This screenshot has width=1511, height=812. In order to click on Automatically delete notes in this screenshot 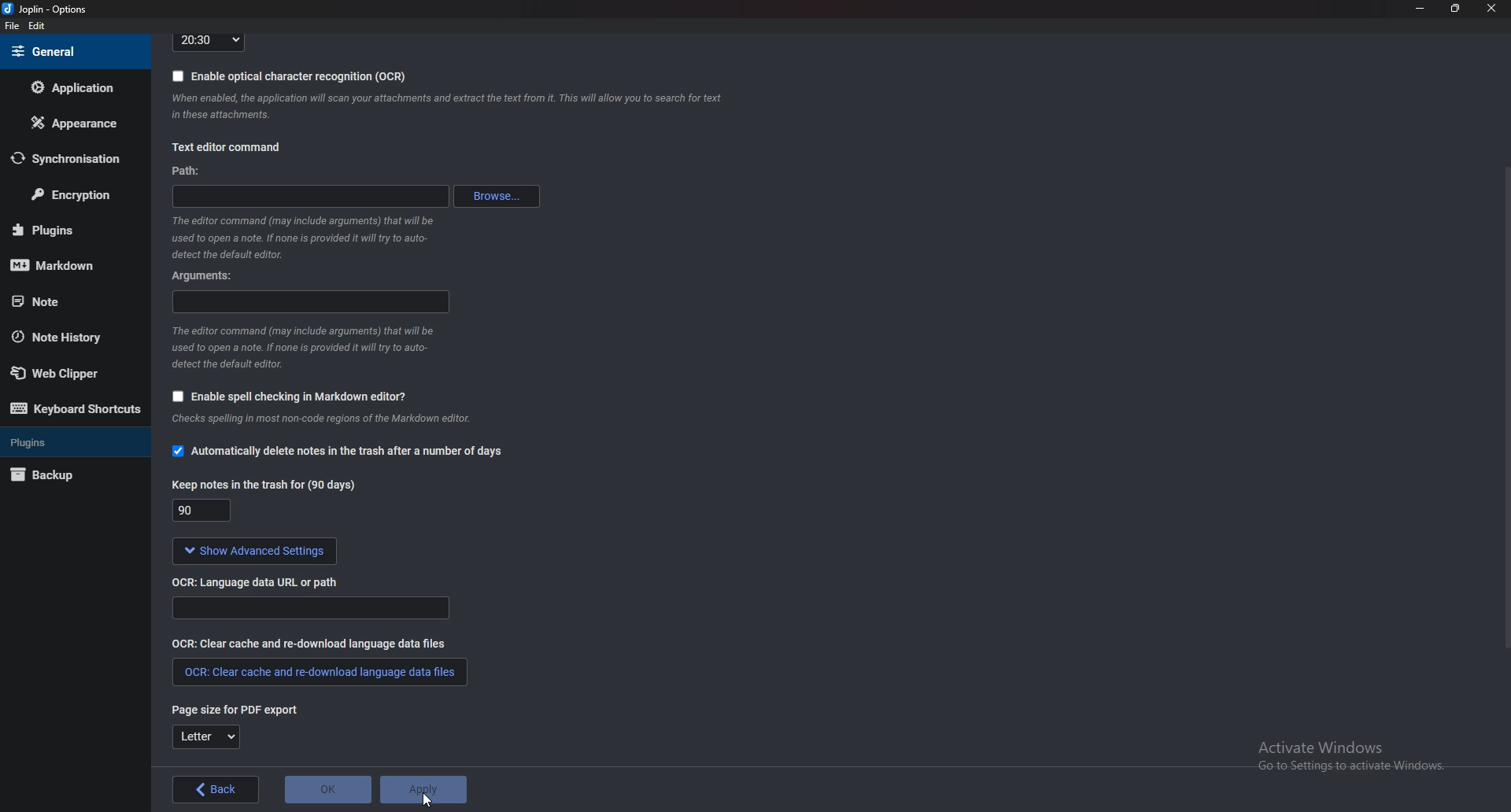, I will do `click(337, 453)`.